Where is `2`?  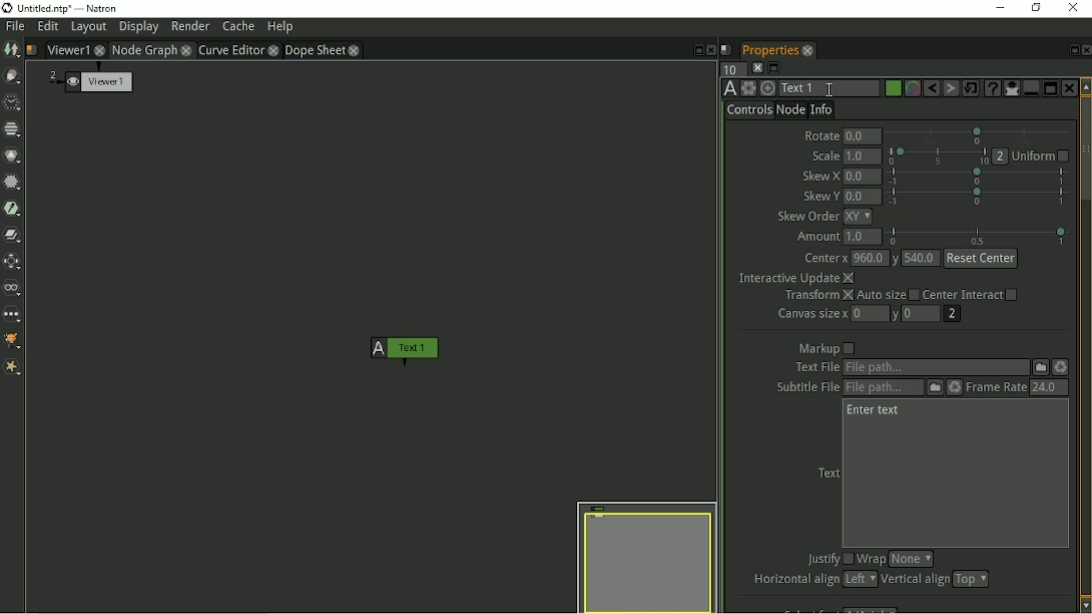 2 is located at coordinates (52, 75).